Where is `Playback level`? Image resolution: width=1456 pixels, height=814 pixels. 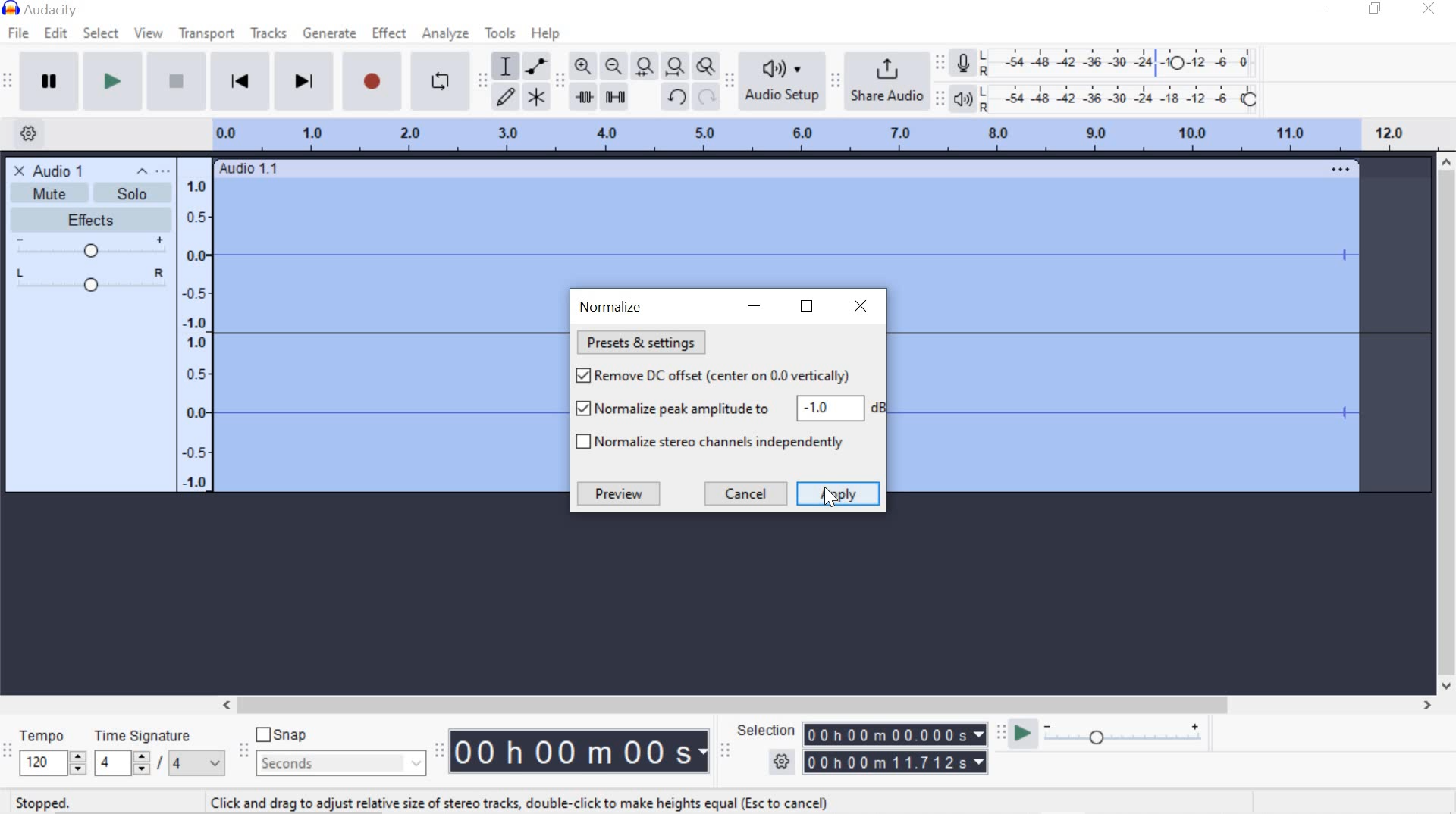 Playback level is located at coordinates (1125, 99).